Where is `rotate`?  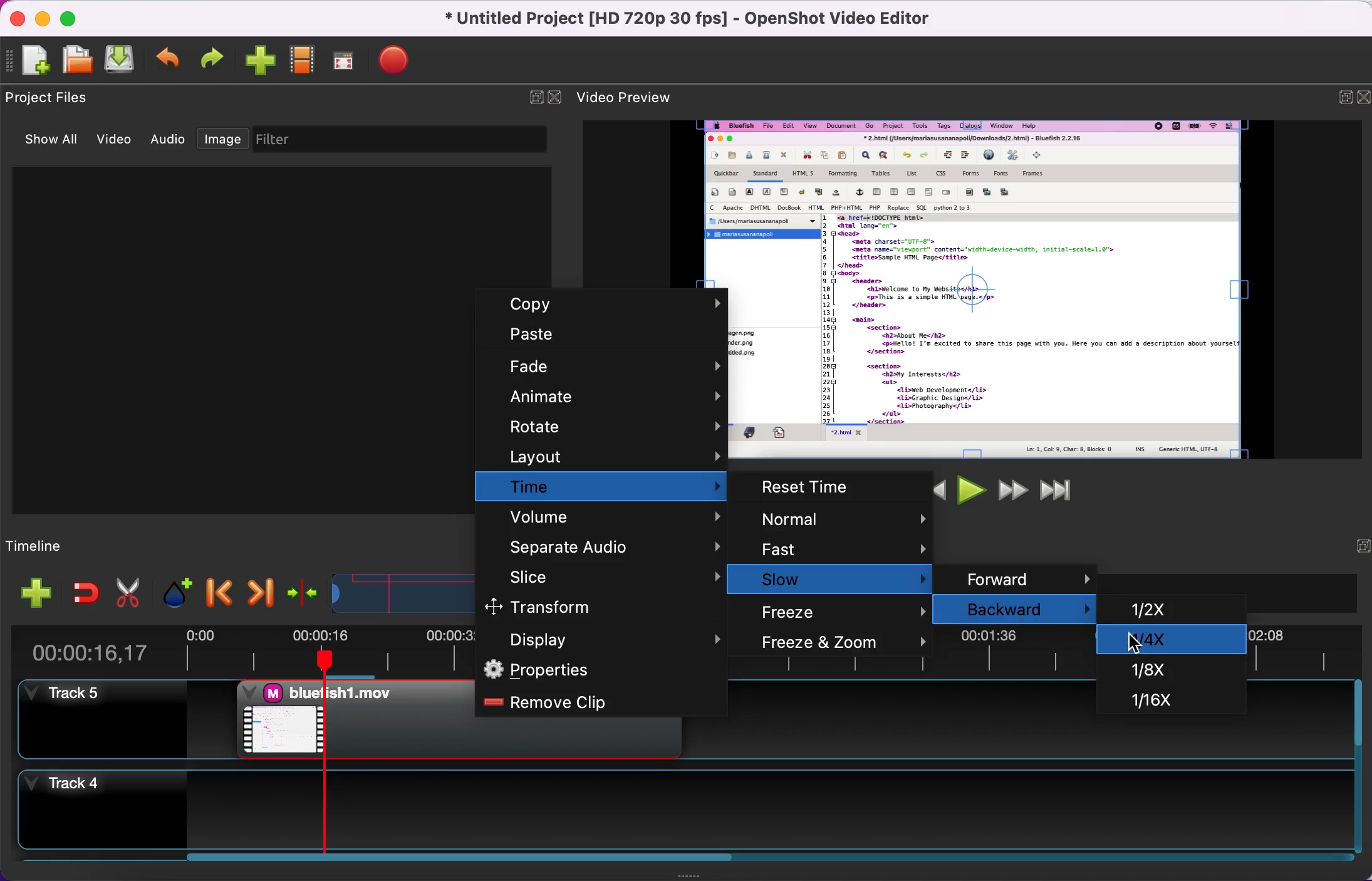
rotate is located at coordinates (603, 427).